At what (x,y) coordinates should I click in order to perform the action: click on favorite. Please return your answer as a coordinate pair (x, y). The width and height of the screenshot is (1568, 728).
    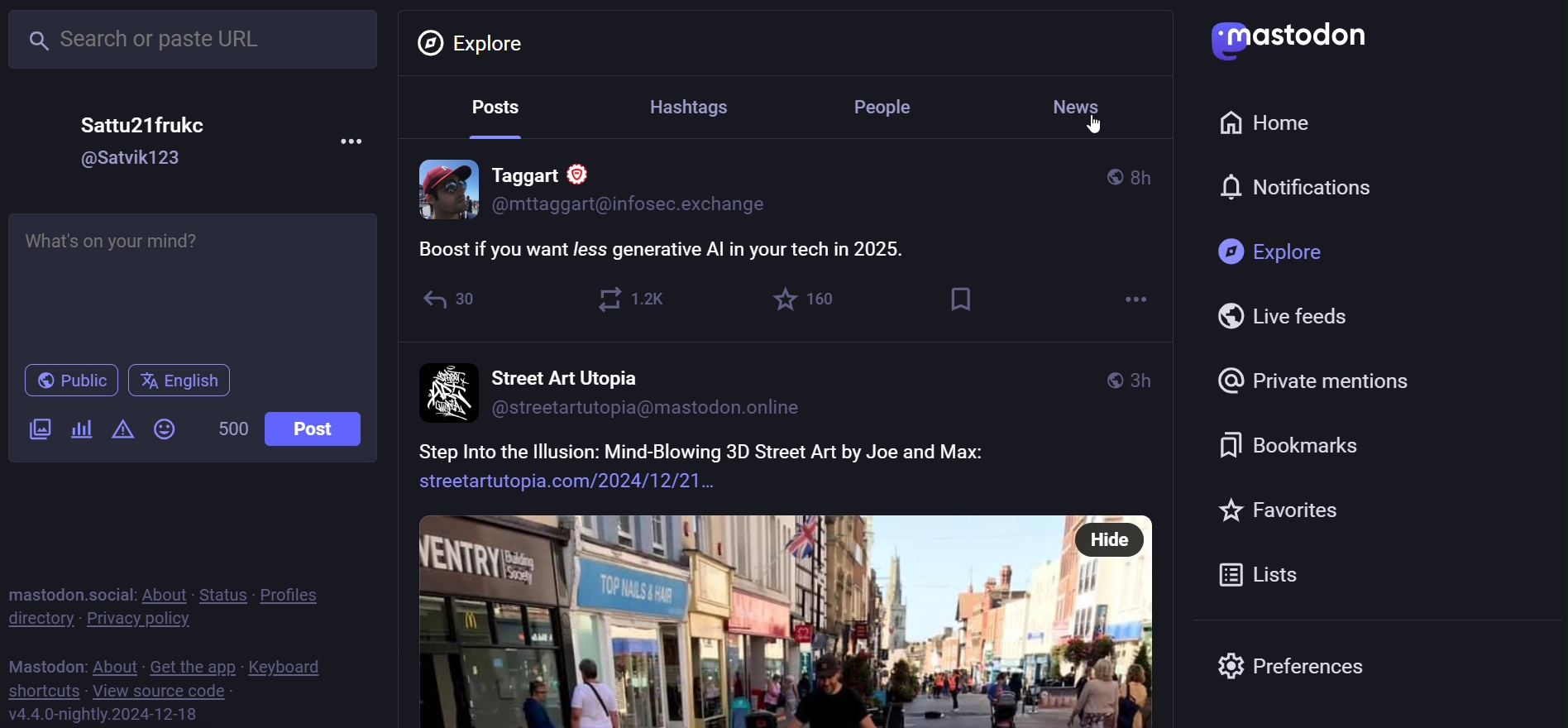
    Looking at the image, I should click on (805, 302).